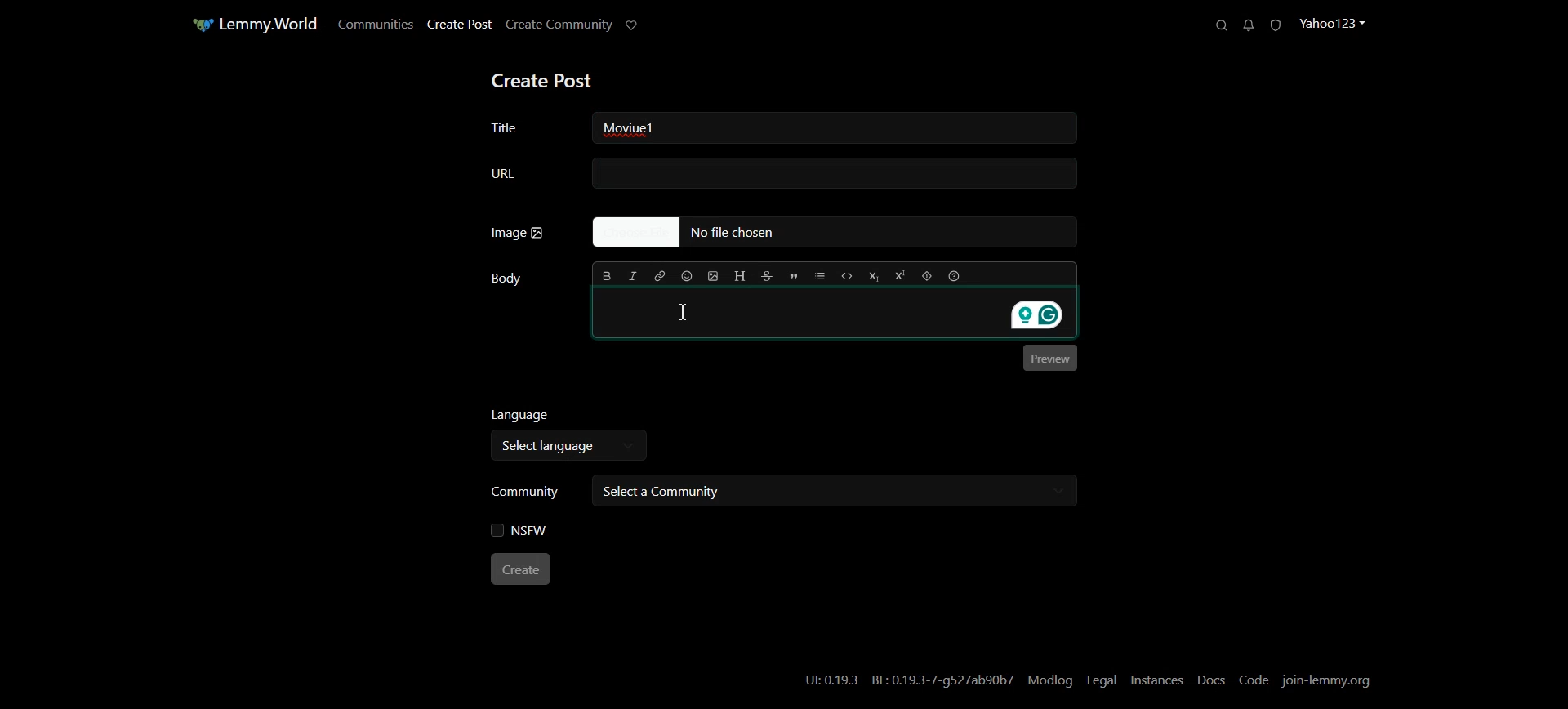  Describe the element at coordinates (780, 174) in the screenshot. I see `URL` at that location.